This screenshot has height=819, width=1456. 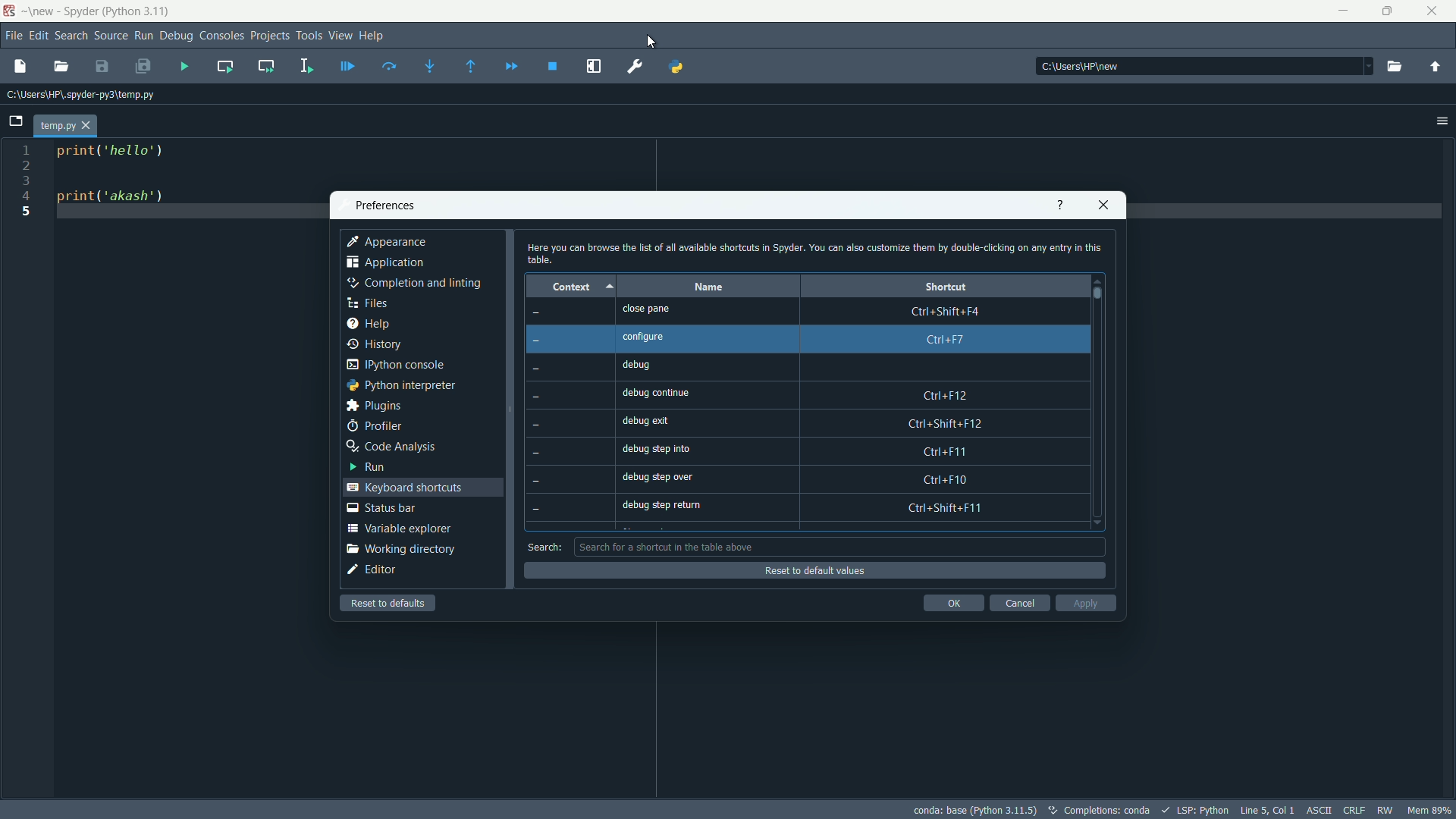 What do you see at coordinates (270, 36) in the screenshot?
I see `projects menu` at bounding box center [270, 36].